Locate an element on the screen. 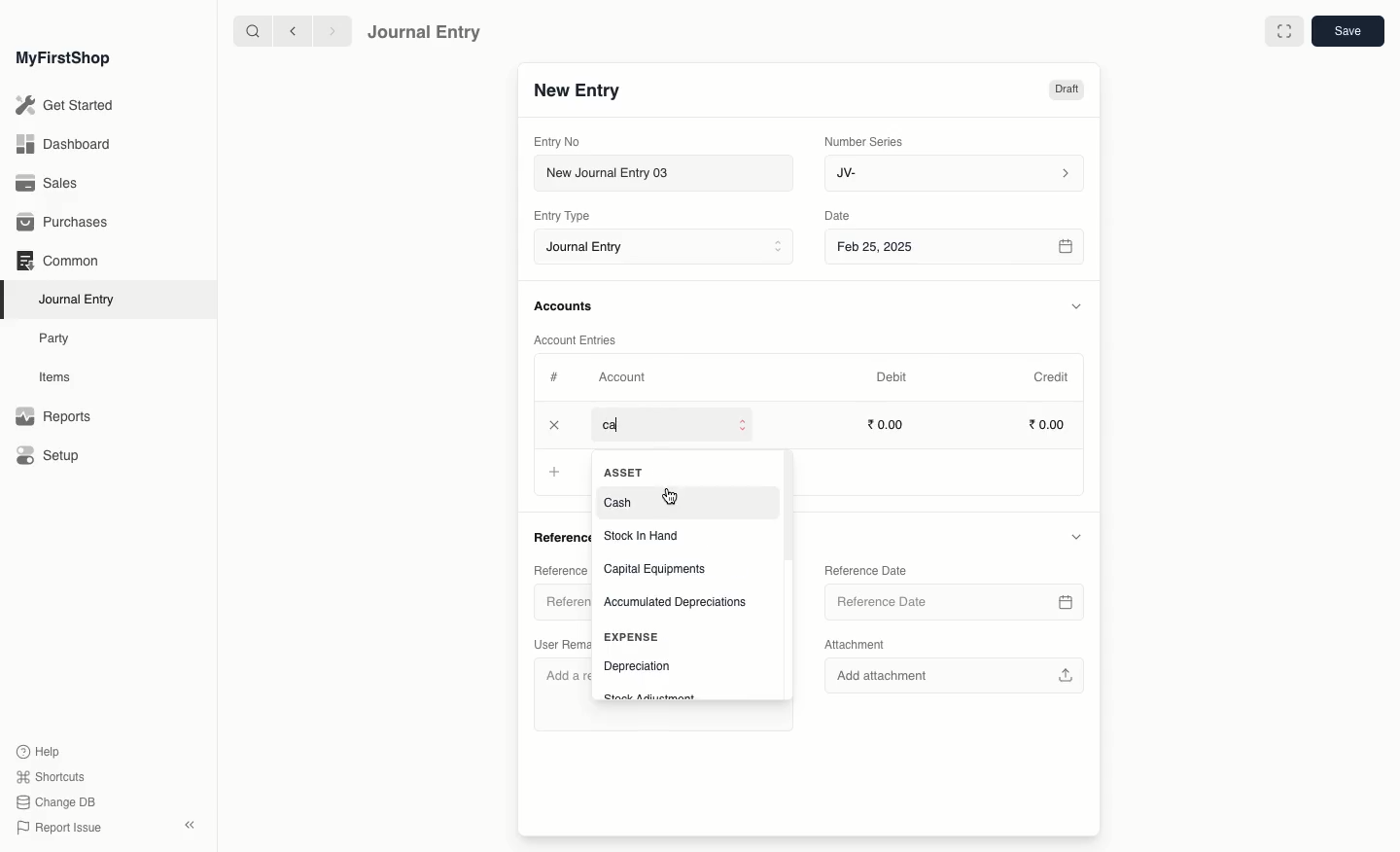 The image size is (1400, 852). Debit is located at coordinates (892, 376).